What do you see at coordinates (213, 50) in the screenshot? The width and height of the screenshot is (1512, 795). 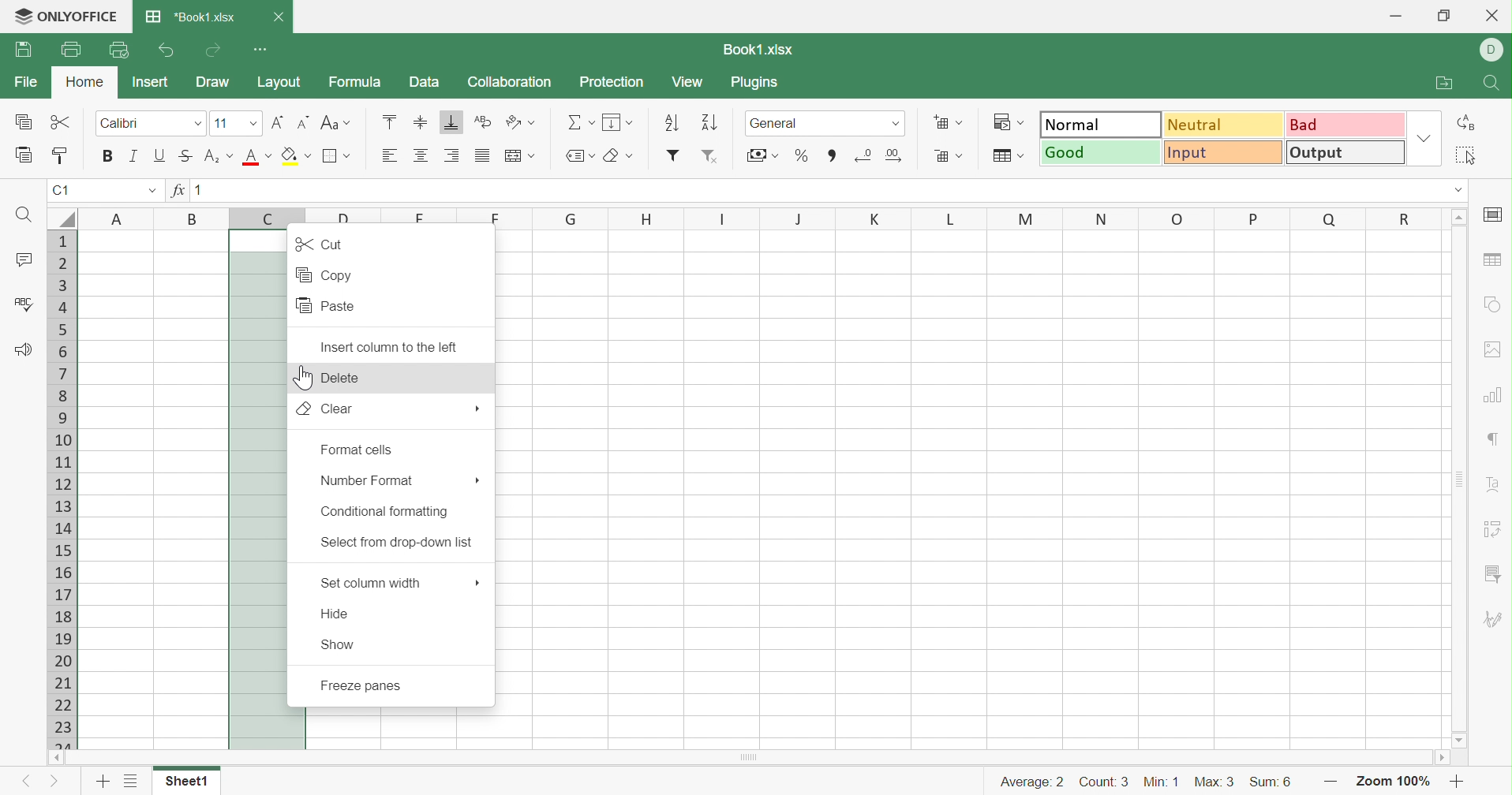 I see `Redo` at bounding box center [213, 50].